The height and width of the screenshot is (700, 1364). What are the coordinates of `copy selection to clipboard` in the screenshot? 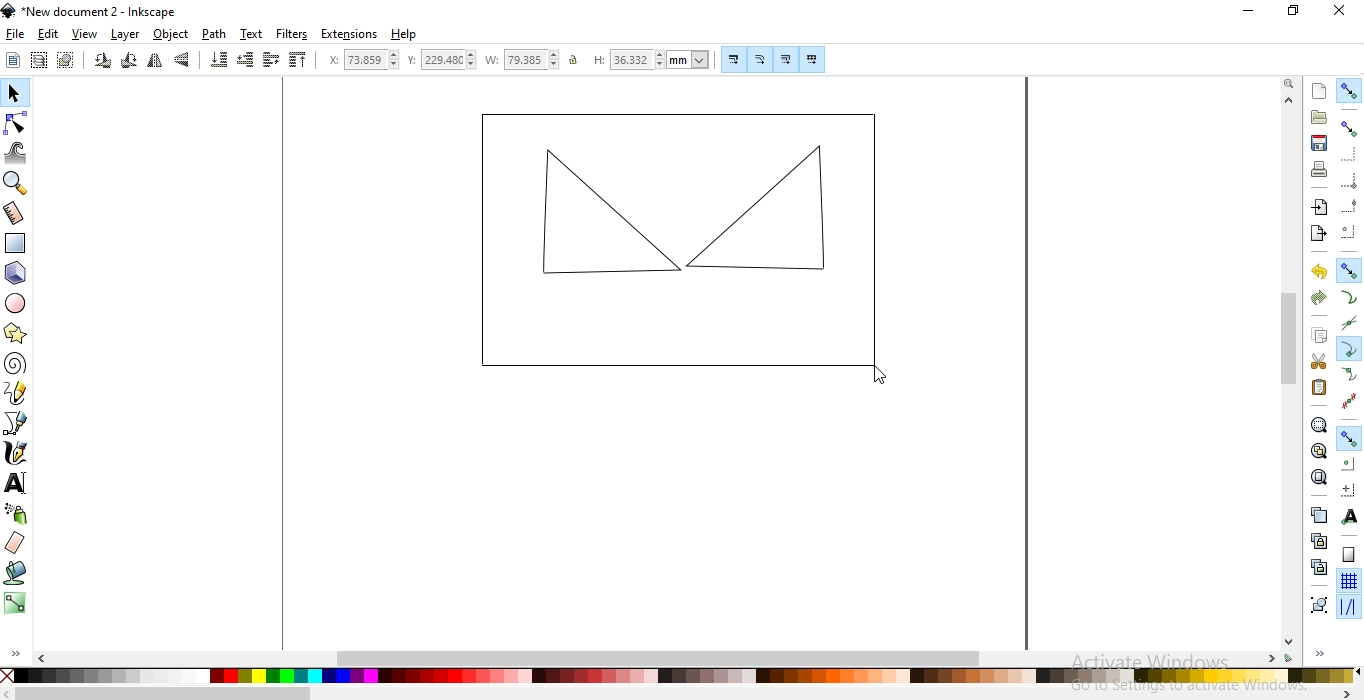 It's located at (1320, 337).